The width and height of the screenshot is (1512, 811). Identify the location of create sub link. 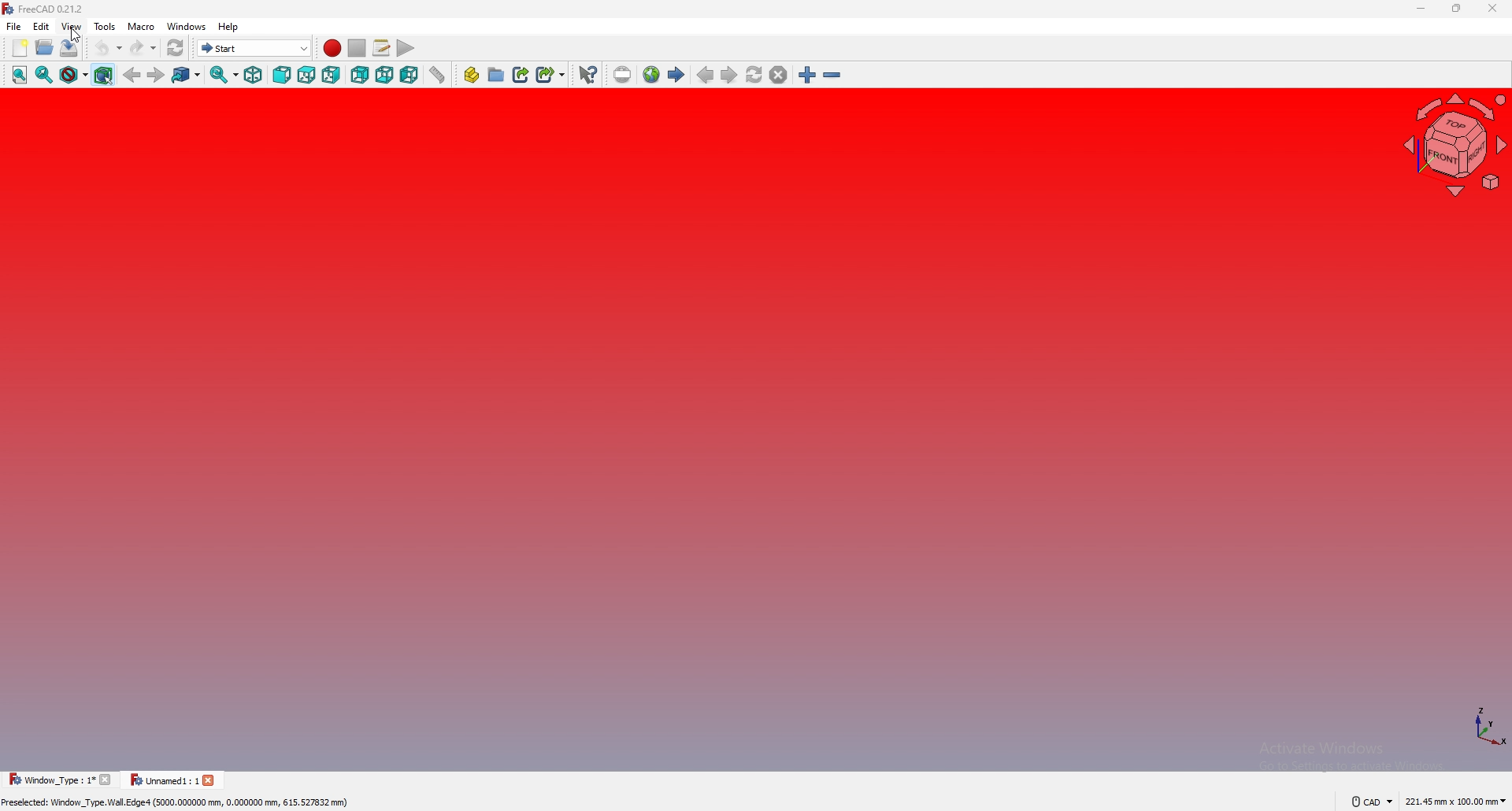
(551, 74).